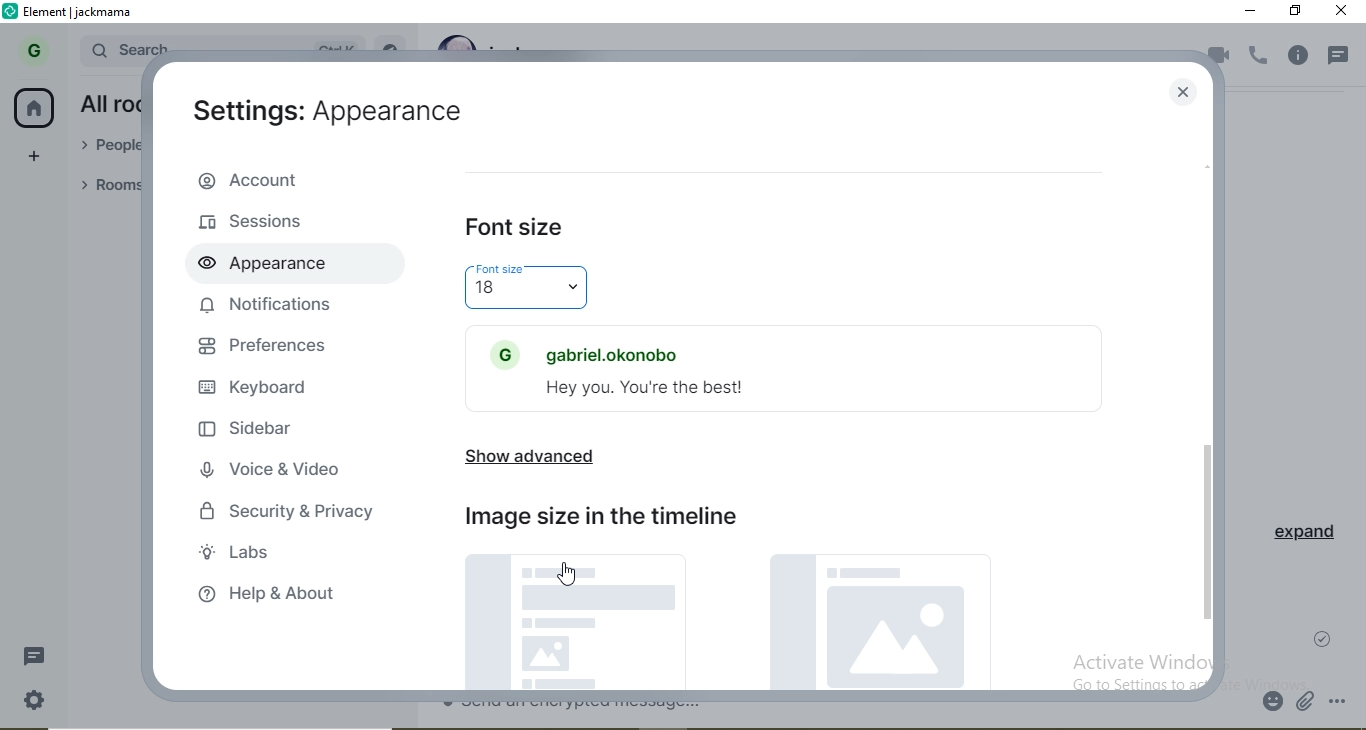 The image size is (1366, 730). Describe the element at coordinates (266, 461) in the screenshot. I see `voice & video` at that location.